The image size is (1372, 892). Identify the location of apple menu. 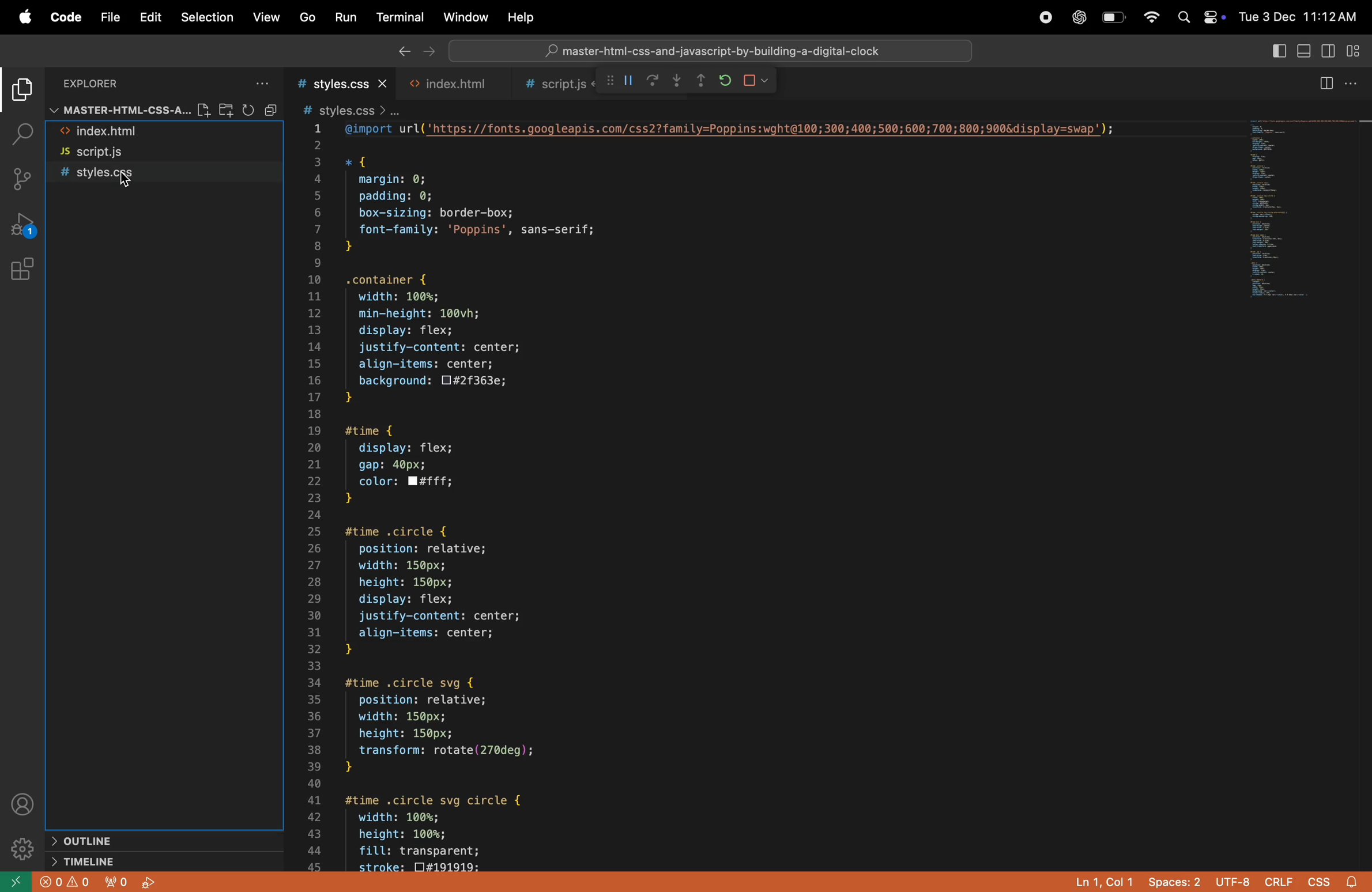
(24, 18).